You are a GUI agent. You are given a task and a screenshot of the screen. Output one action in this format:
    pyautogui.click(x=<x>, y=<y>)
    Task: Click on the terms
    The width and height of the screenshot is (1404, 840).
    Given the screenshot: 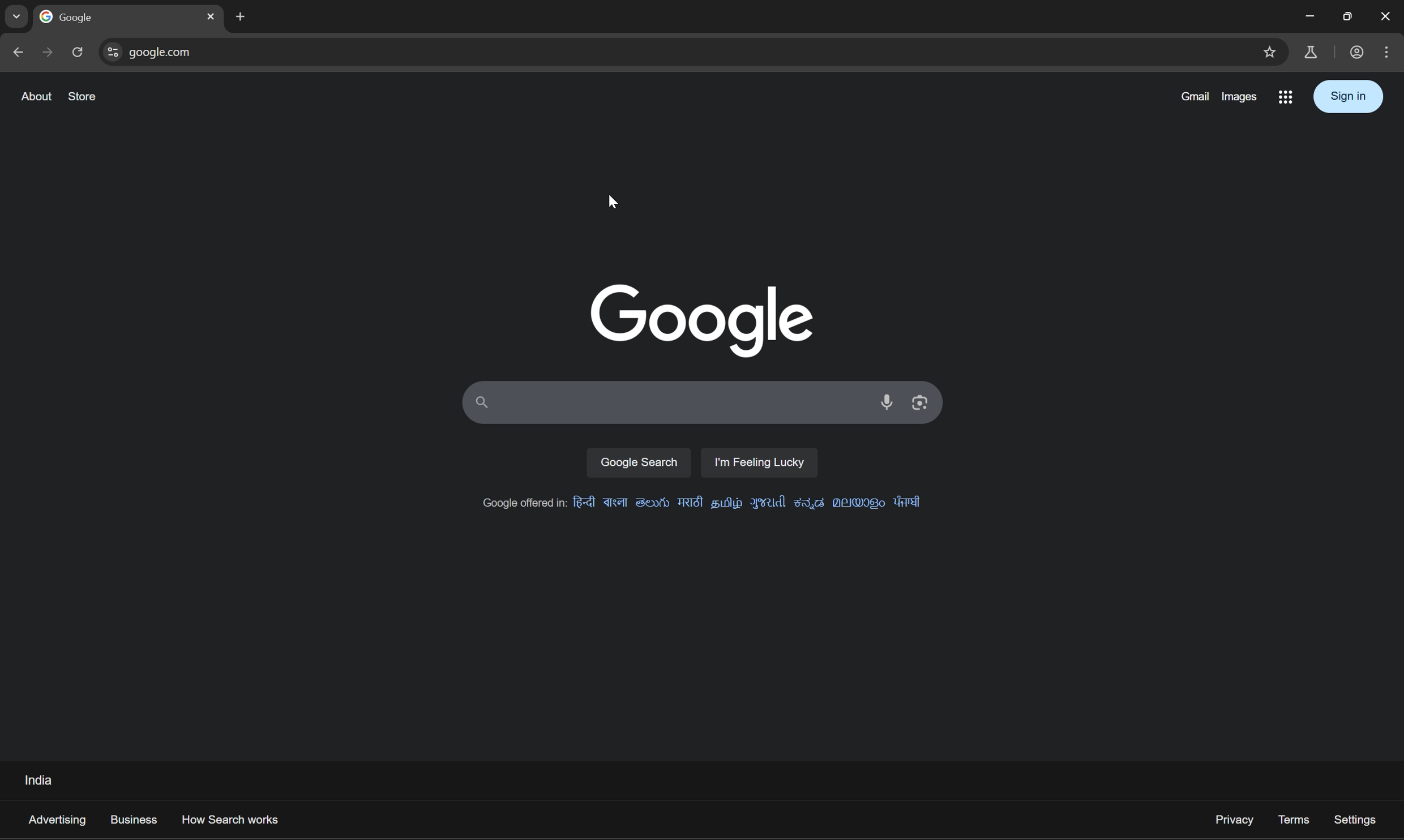 What is the action you would take?
    pyautogui.click(x=1292, y=819)
    